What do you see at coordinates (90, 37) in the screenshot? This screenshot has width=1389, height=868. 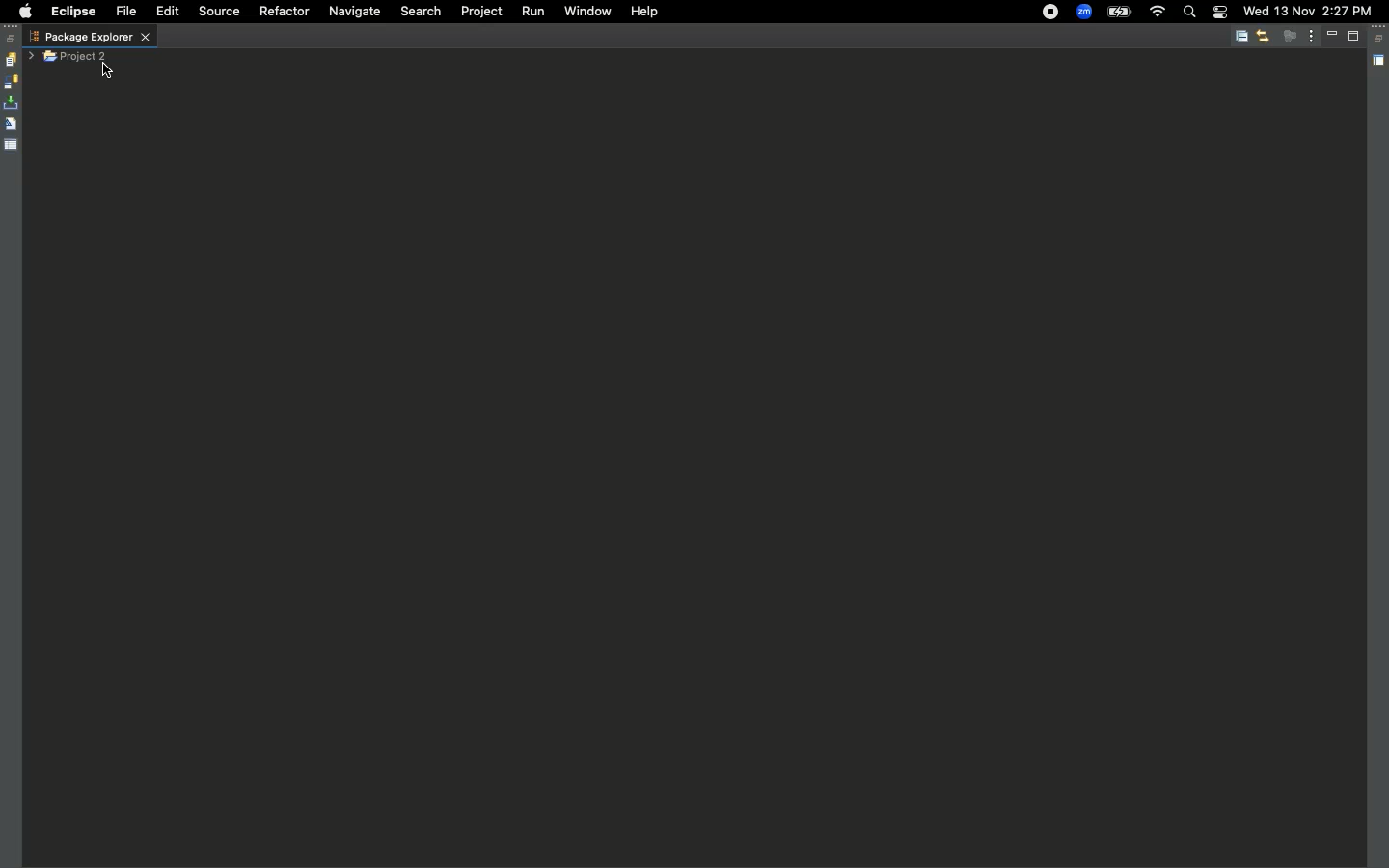 I see `Package explorer` at bounding box center [90, 37].